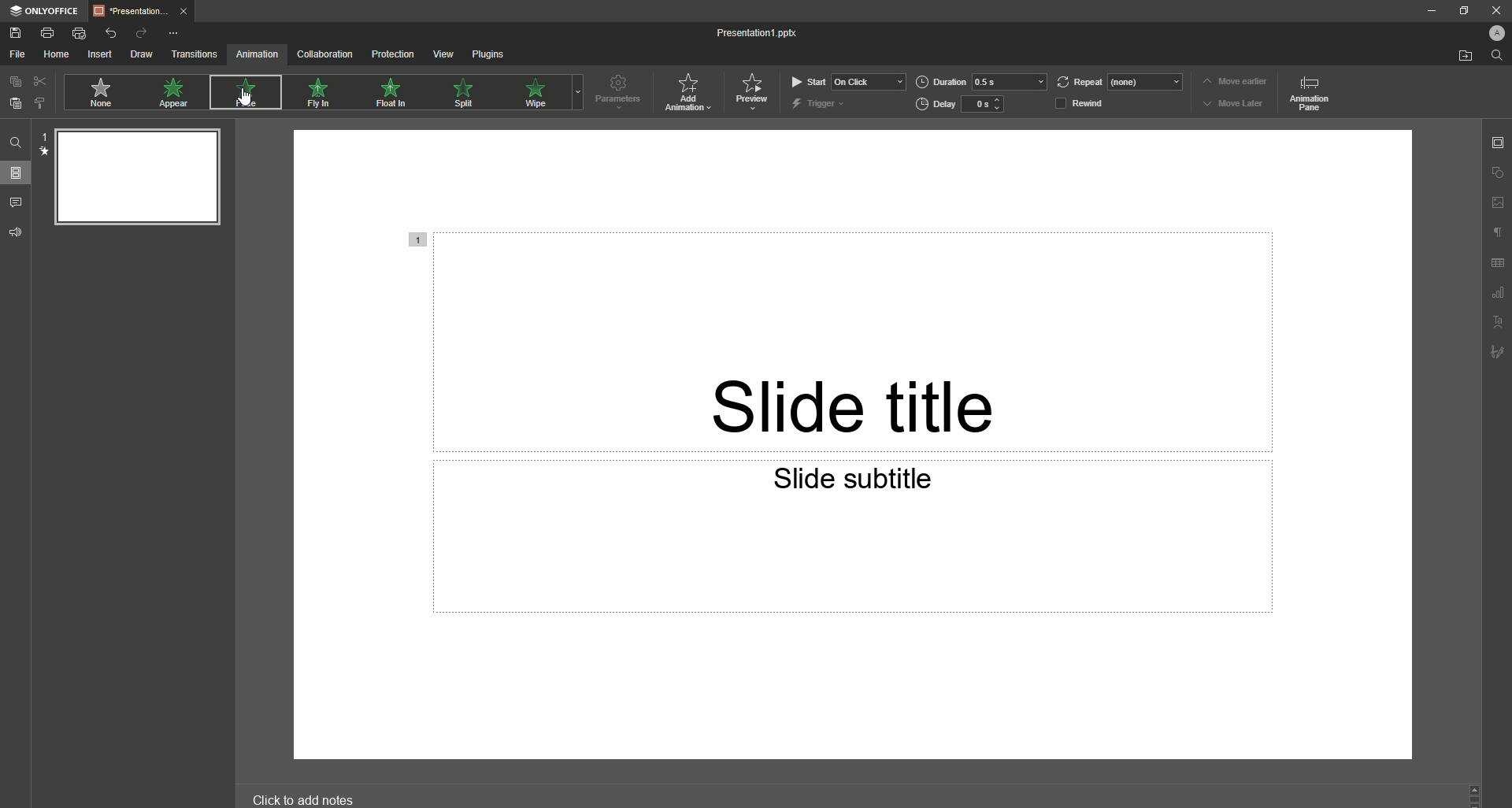 The image size is (1512, 808). I want to click on Fade, so click(243, 92).